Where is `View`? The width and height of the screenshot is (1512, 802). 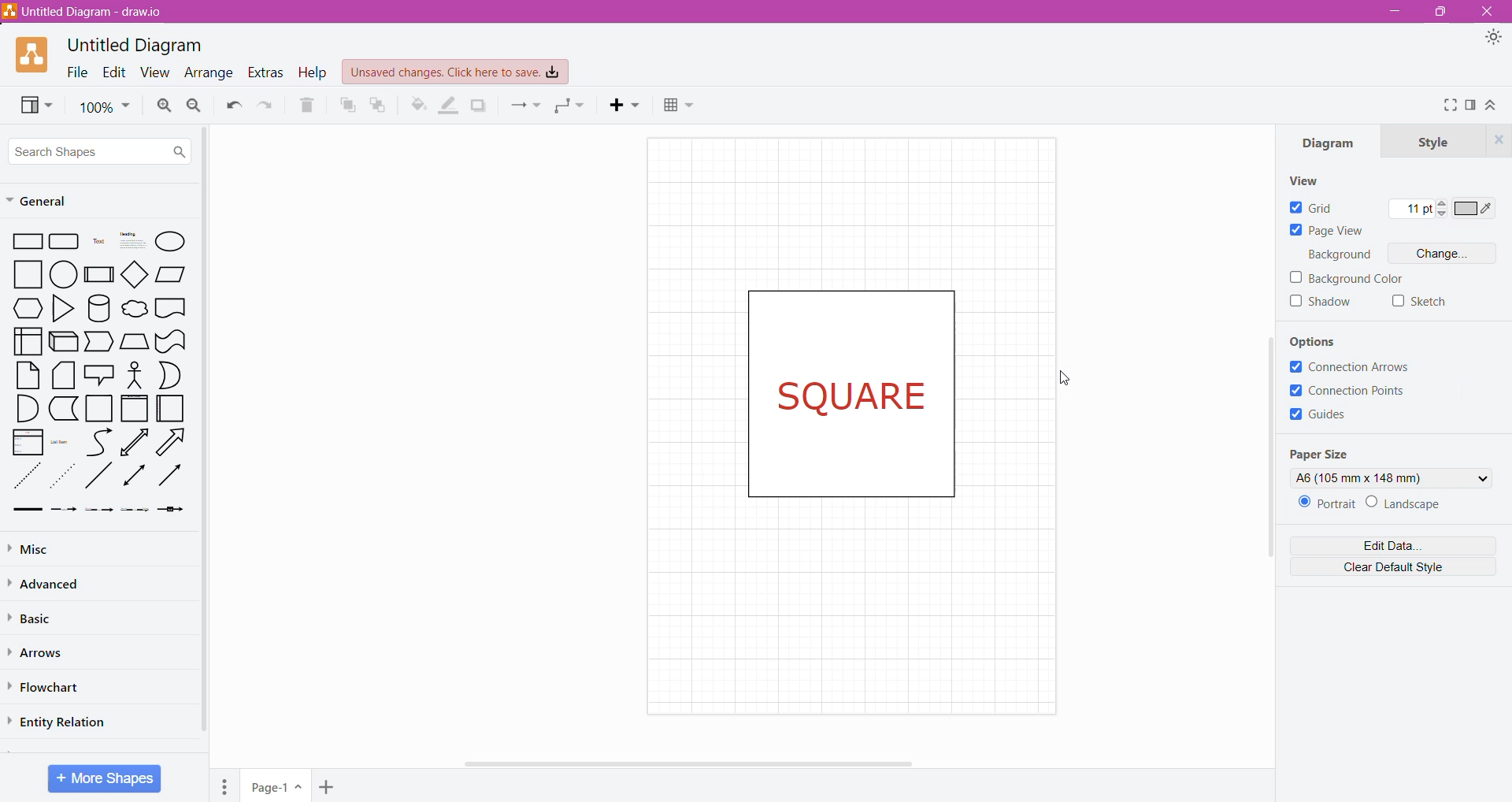
View is located at coordinates (1310, 181).